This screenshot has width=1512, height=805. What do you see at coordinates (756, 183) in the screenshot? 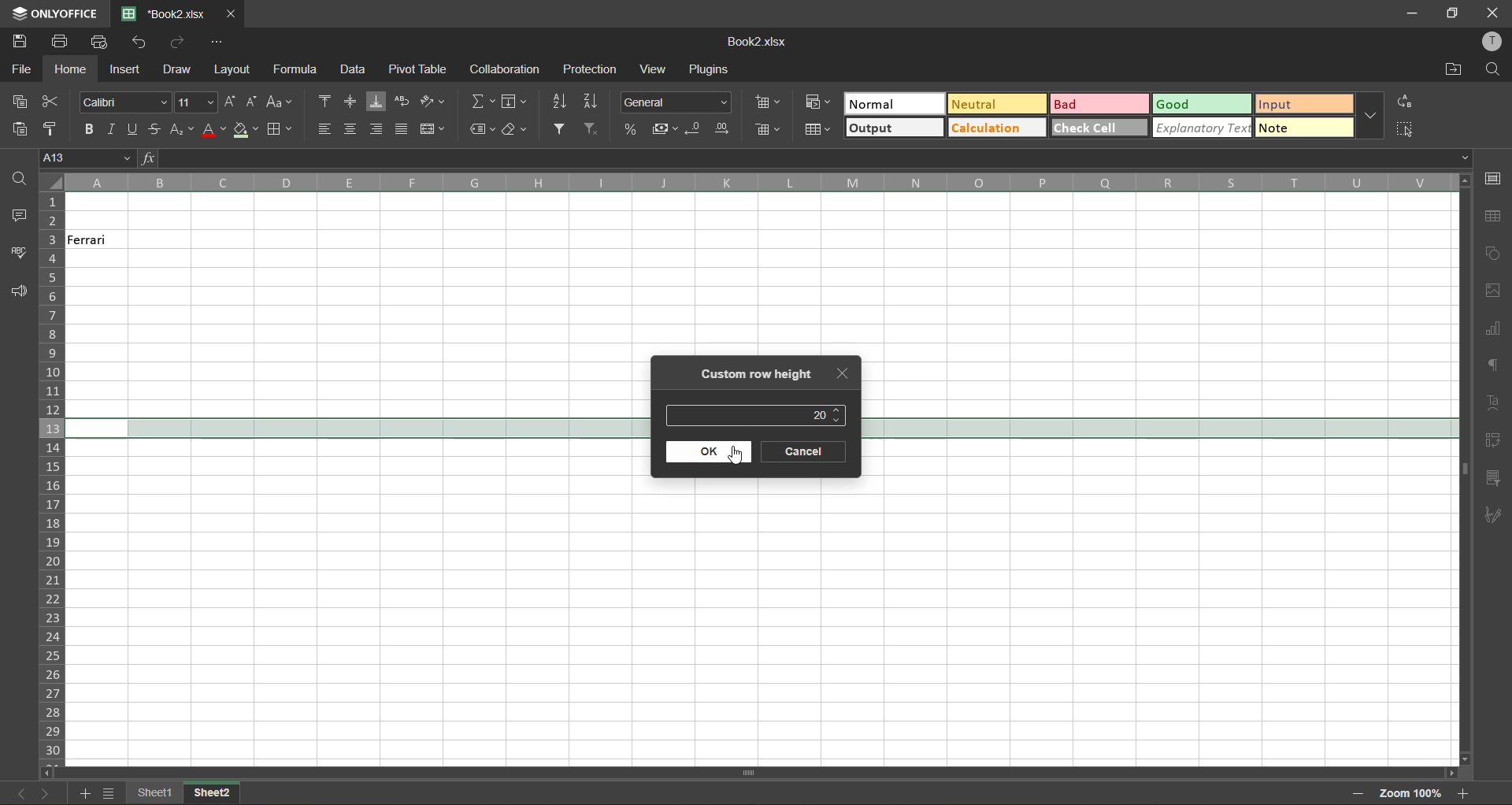
I see `column names` at bounding box center [756, 183].